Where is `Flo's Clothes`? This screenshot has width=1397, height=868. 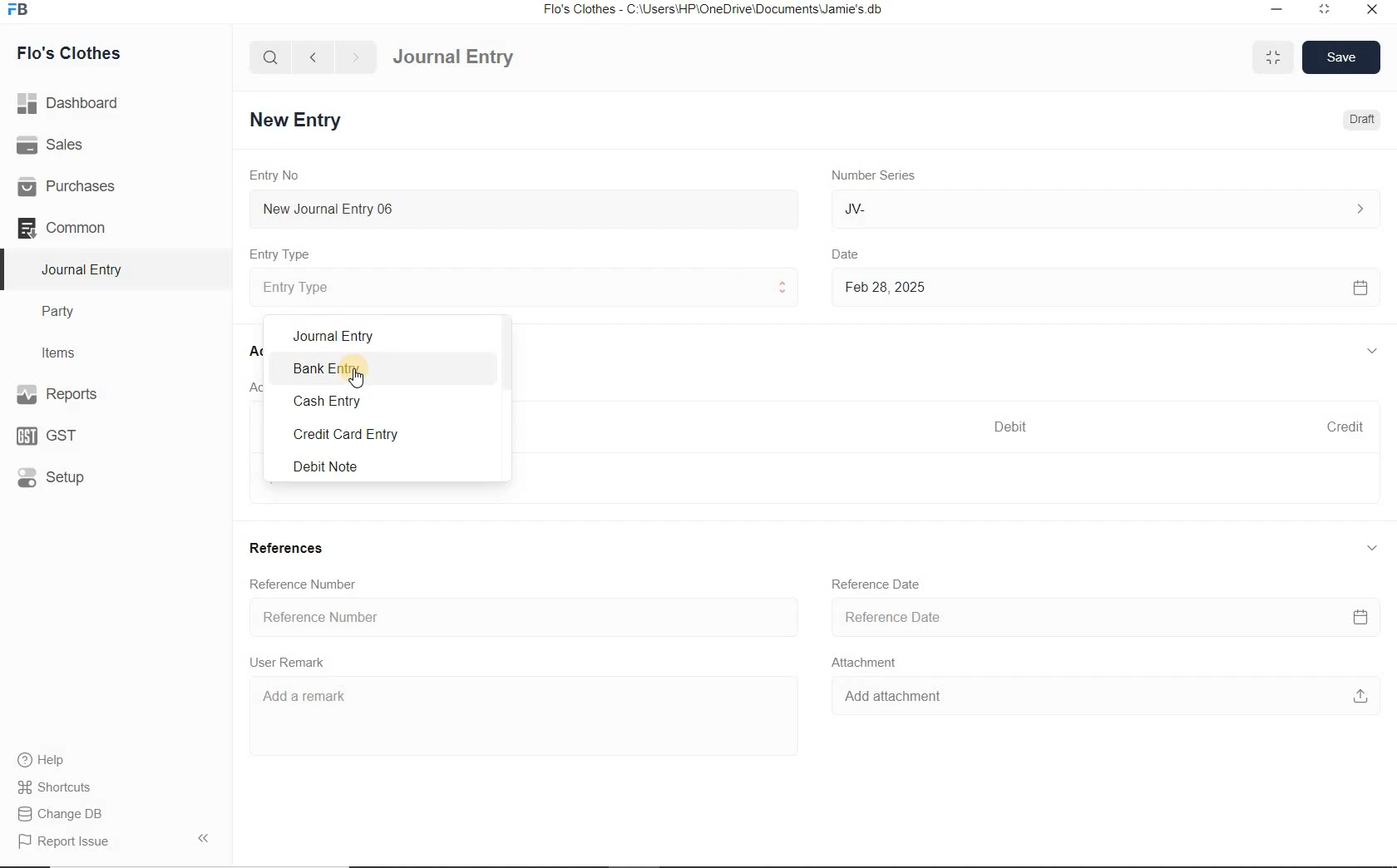 Flo's Clothes is located at coordinates (81, 53).